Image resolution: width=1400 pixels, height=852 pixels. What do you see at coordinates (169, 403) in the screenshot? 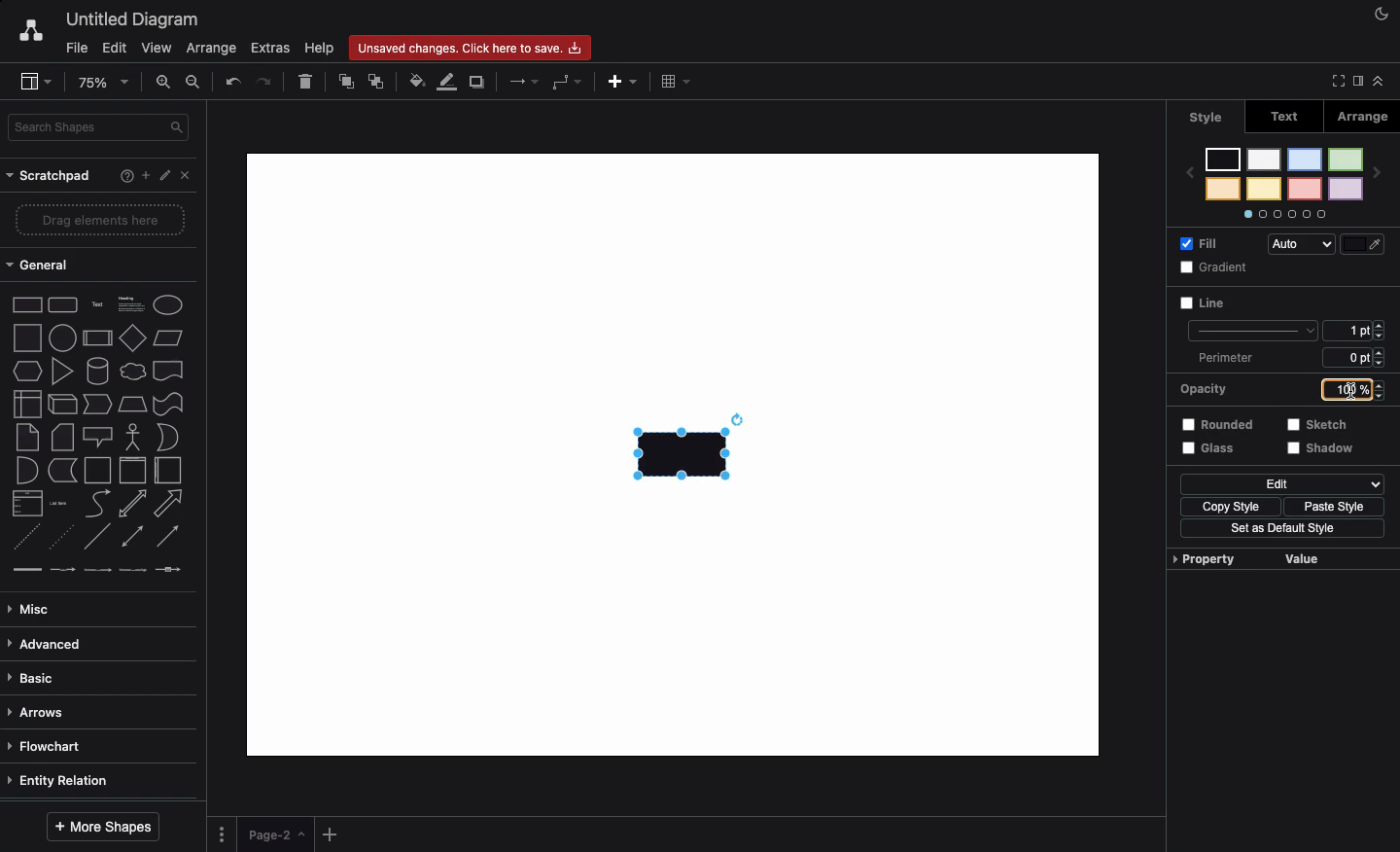
I see `tape` at bounding box center [169, 403].